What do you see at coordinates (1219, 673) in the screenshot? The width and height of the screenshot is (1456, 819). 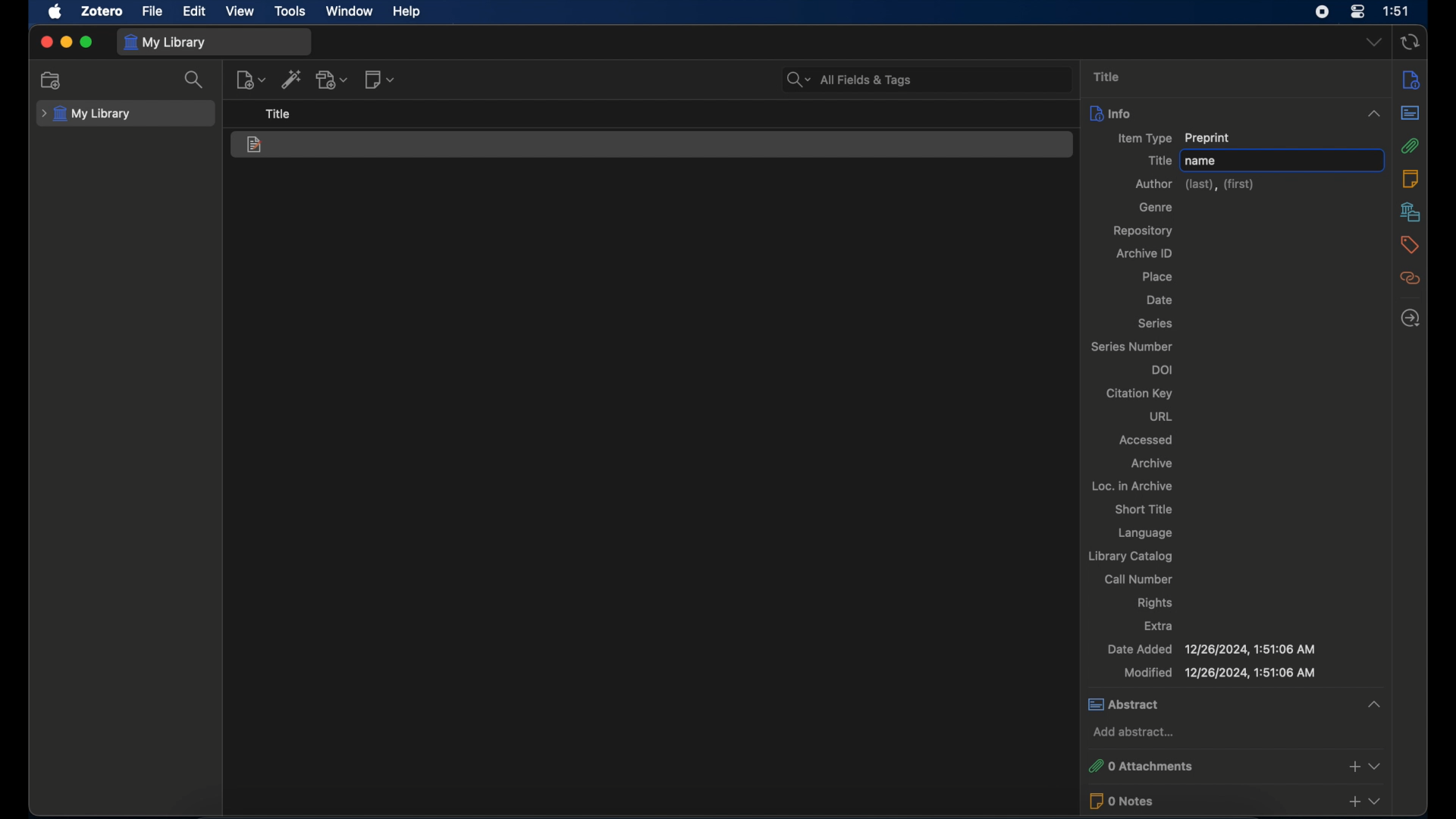 I see `modified 12/26/2024, 1:51:06 AM` at bounding box center [1219, 673].